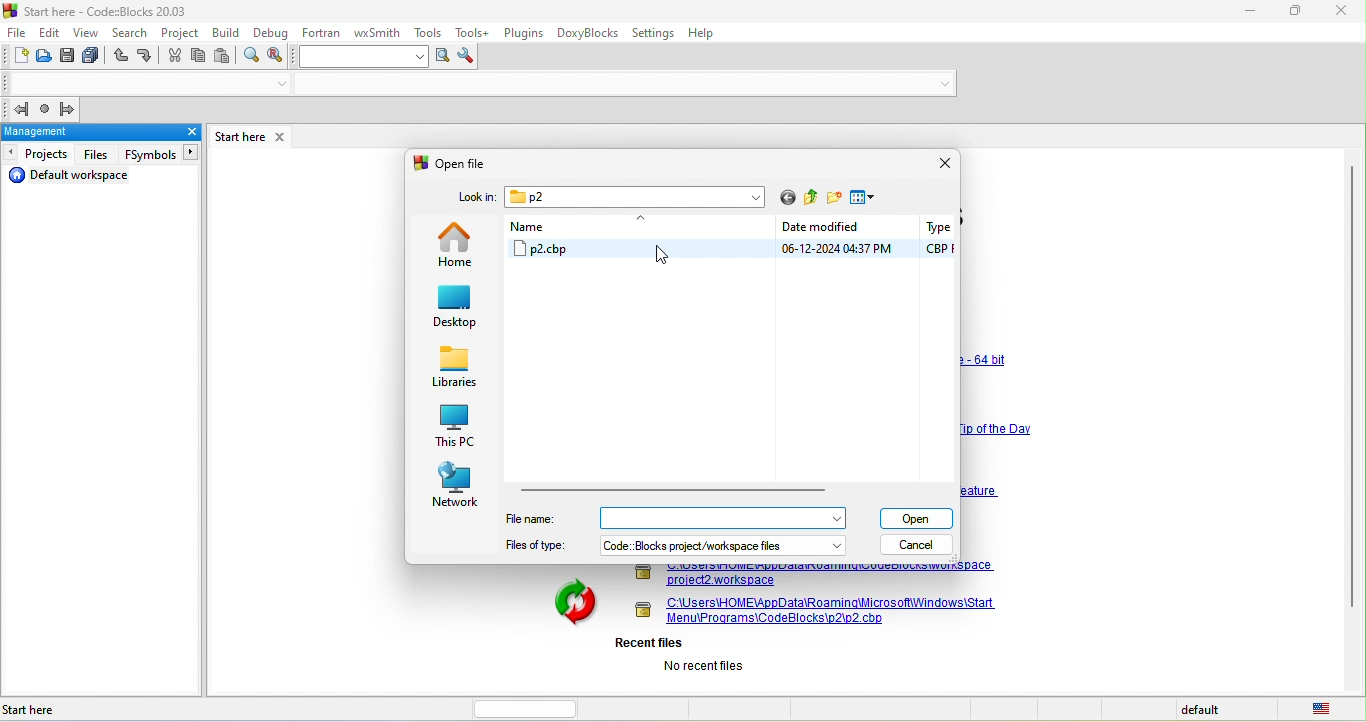 The width and height of the screenshot is (1366, 722). What do you see at coordinates (146, 56) in the screenshot?
I see `redo` at bounding box center [146, 56].